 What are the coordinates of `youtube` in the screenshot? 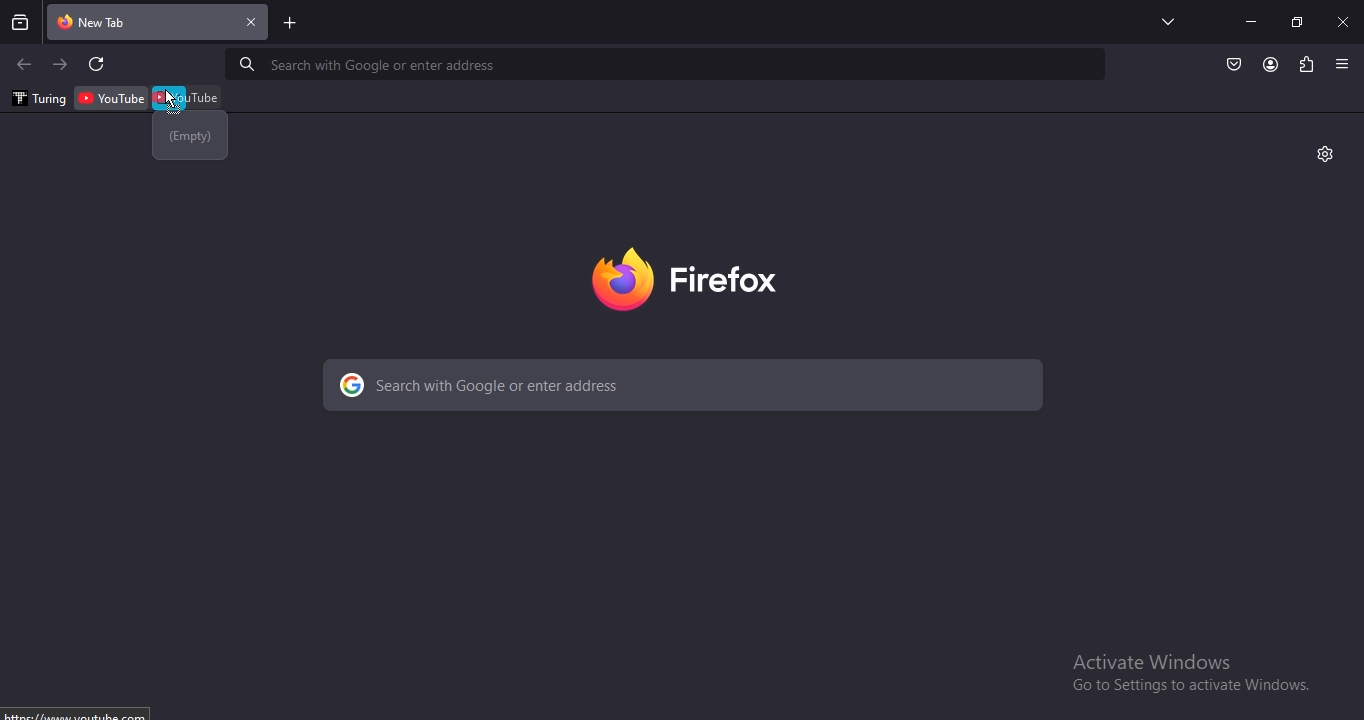 It's located at (113, 97).